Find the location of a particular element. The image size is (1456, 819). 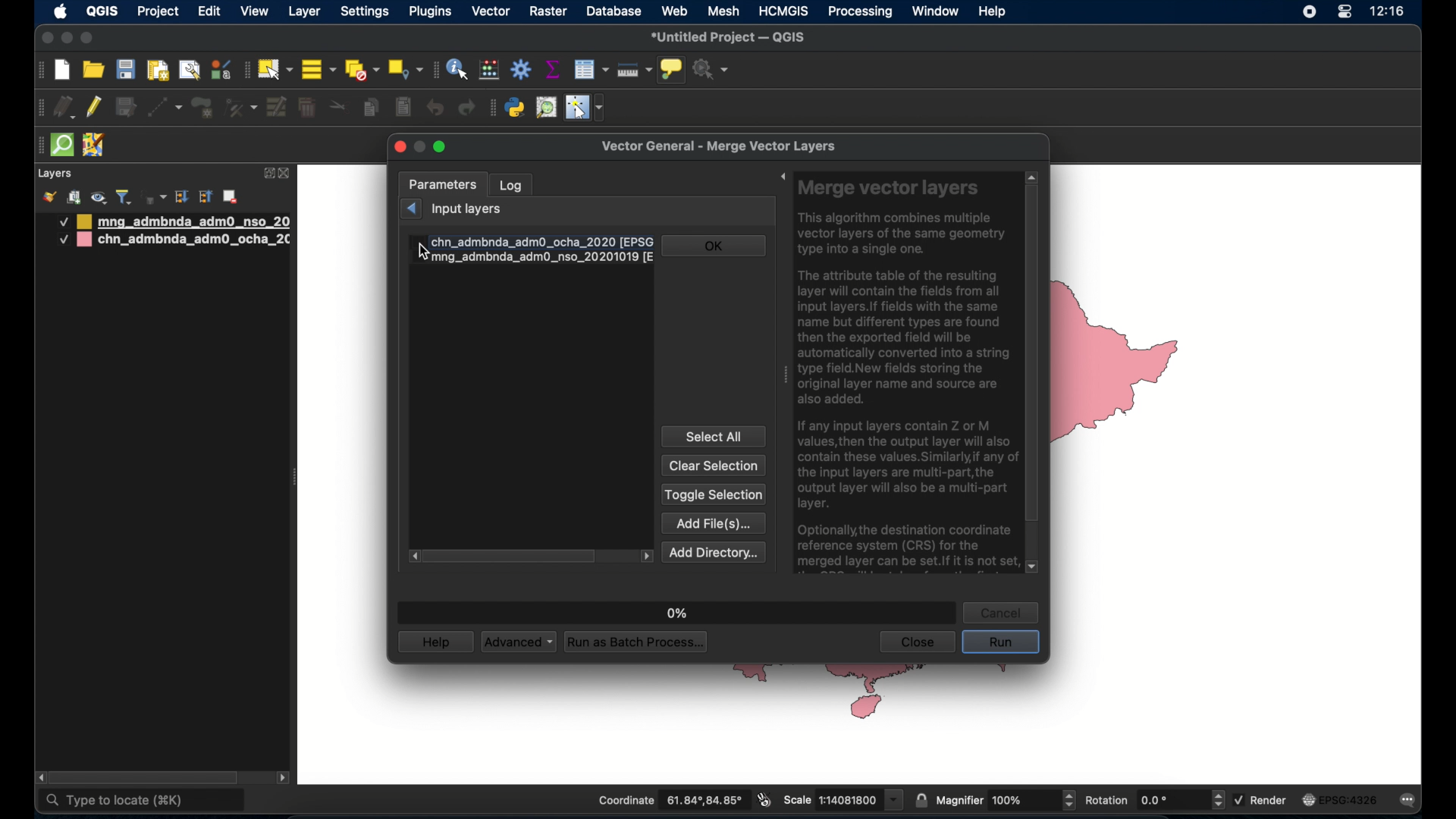

select by area or single click is located at coordinates (277, 67).